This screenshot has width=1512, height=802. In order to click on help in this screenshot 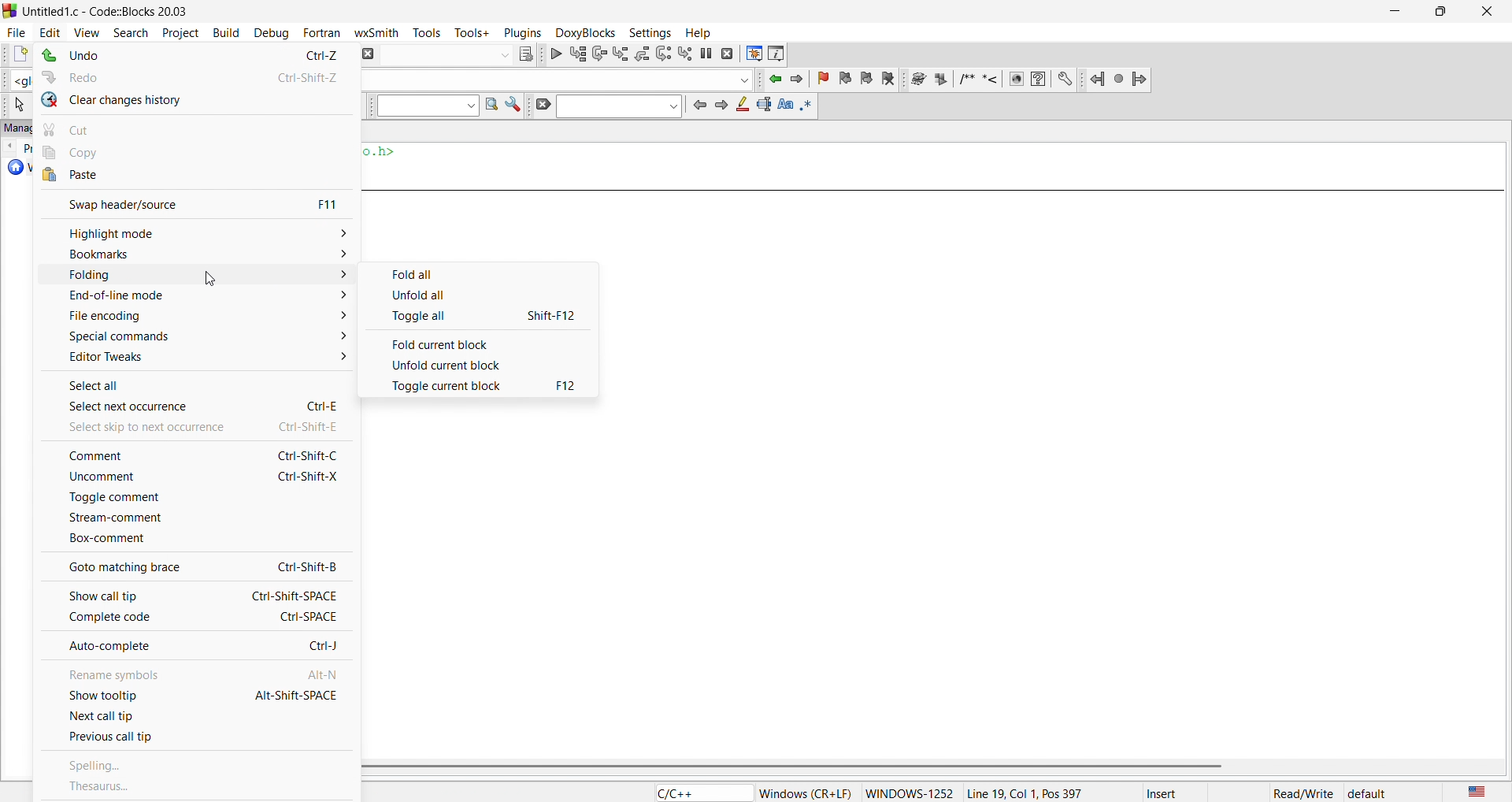, I will do `click(696, 32)`.